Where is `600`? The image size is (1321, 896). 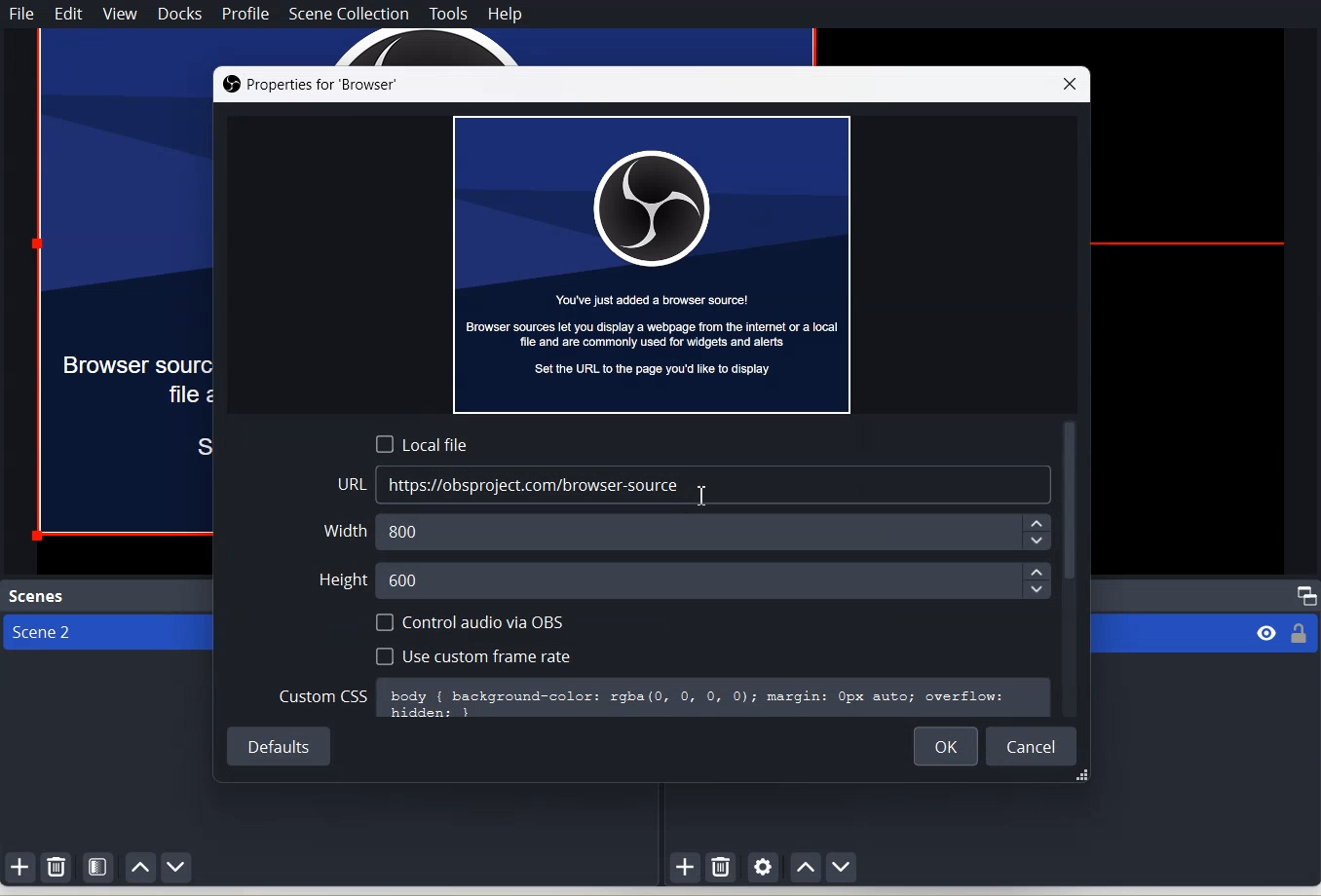 600 is located at coordinates (711, 582).